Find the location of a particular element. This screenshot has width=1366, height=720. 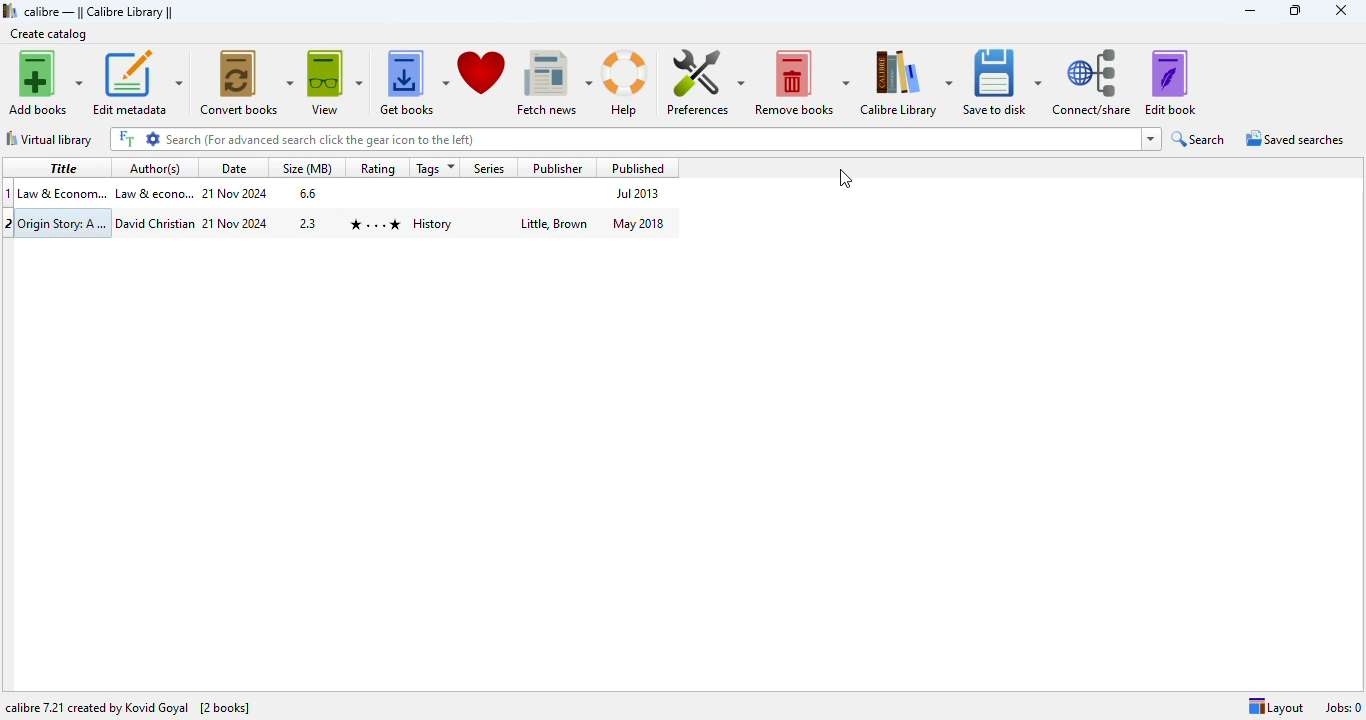

published is located at coordinates (641, 165).